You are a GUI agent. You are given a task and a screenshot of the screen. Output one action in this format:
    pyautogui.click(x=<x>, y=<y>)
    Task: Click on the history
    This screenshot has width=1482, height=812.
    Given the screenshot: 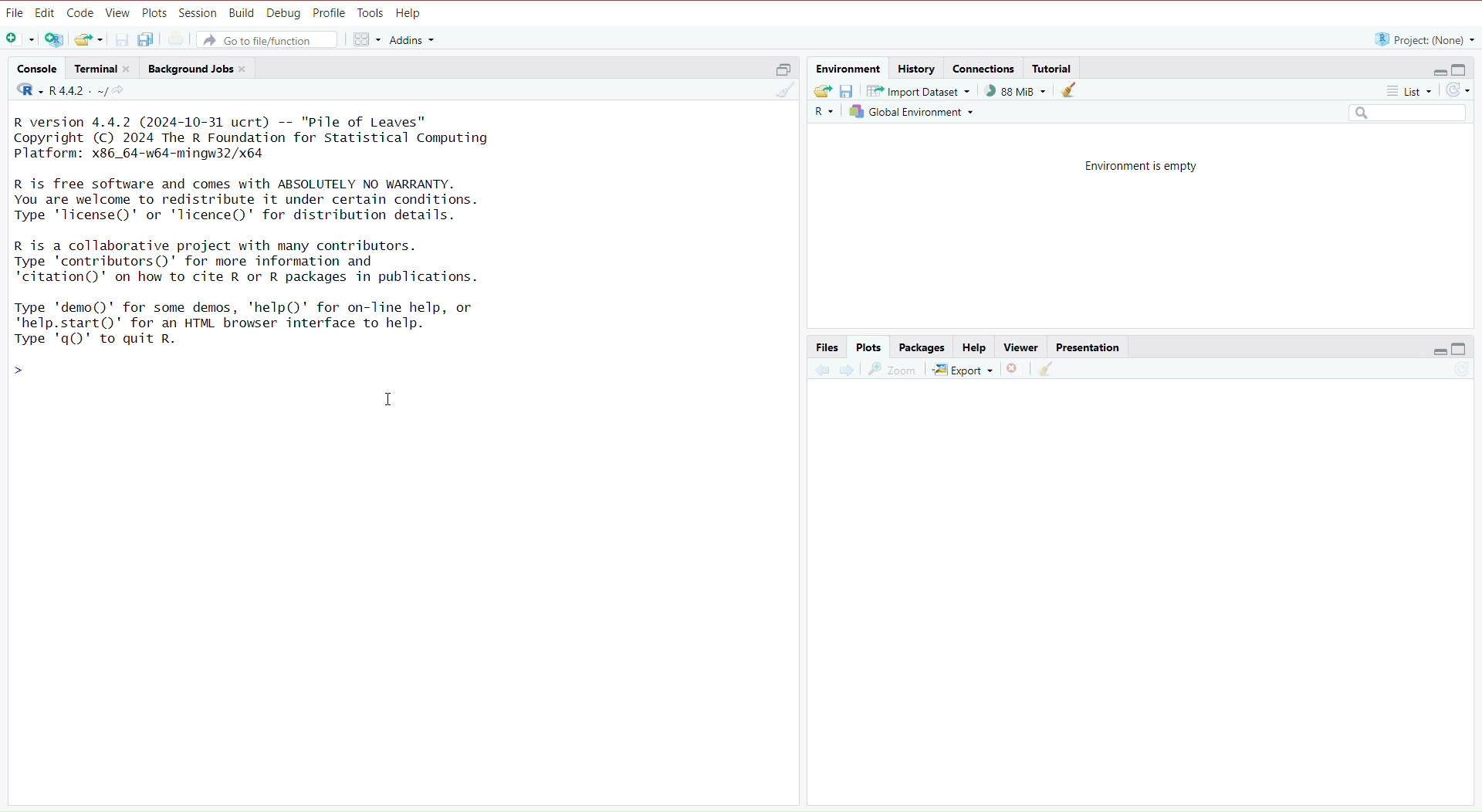 What is the action you would take?
    pyautogui.click(x=919, y=67)
    